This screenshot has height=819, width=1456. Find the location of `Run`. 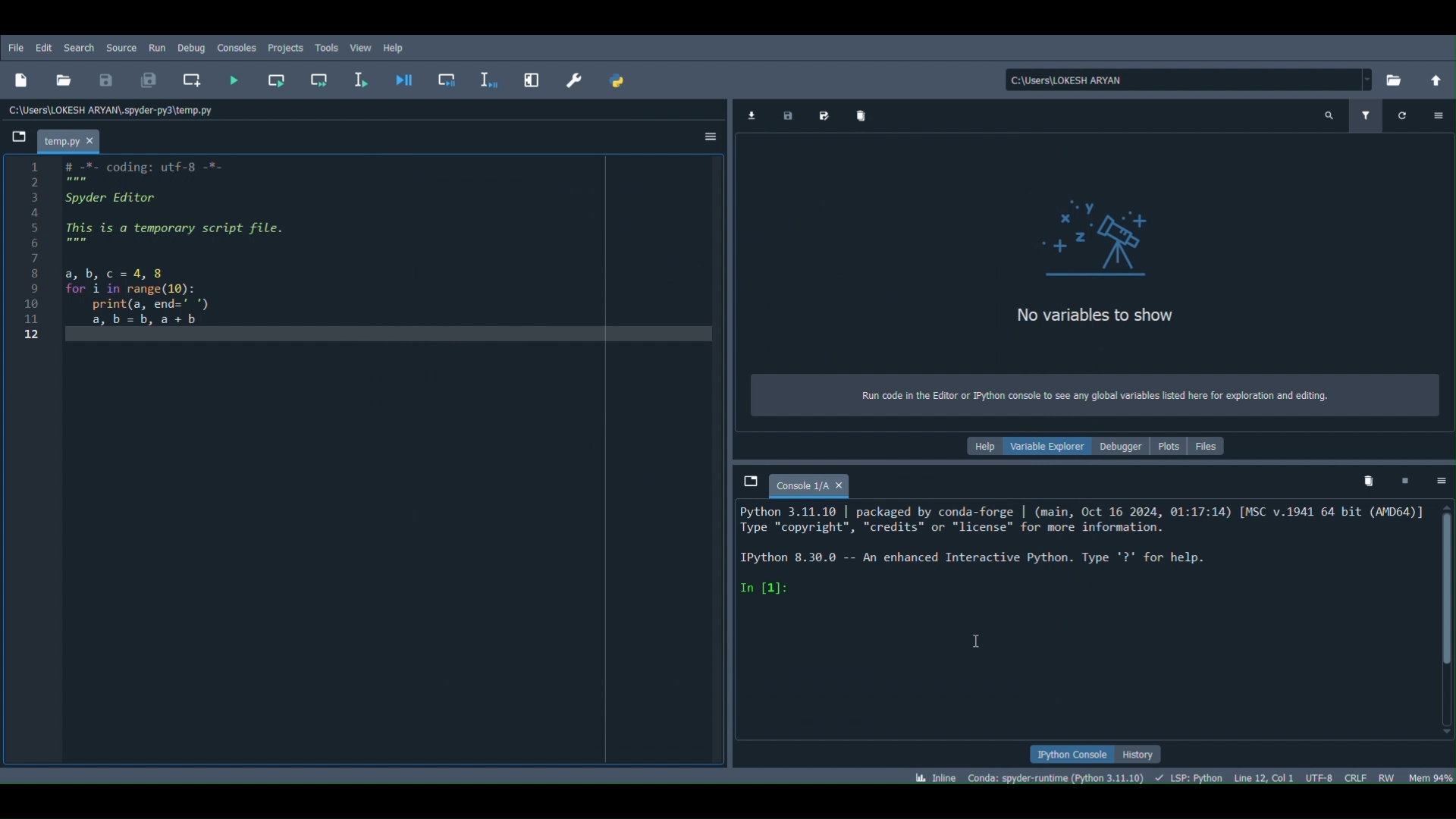

Run is located at coordinates (158, 47).